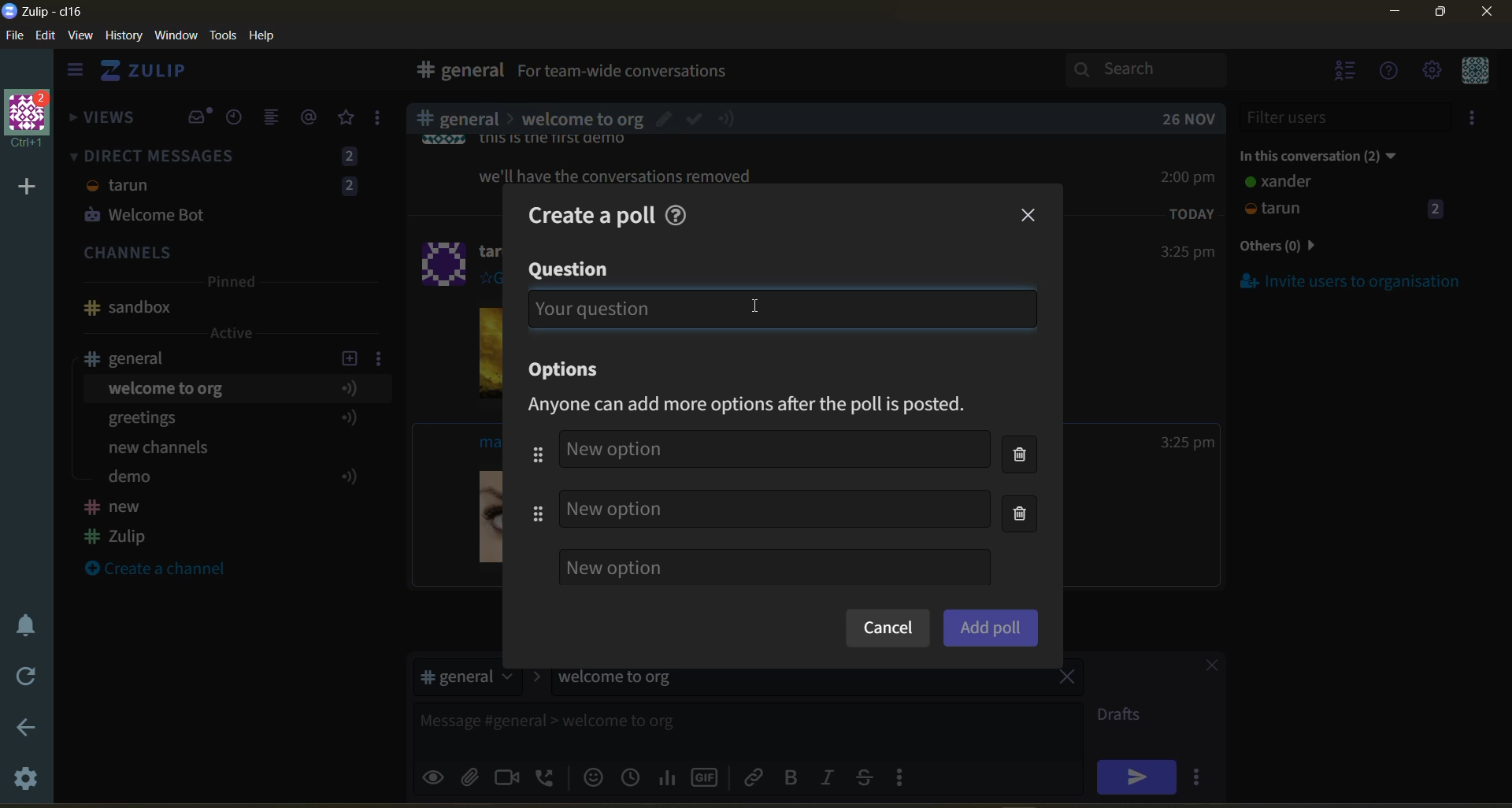 The image size is (1512, 808). Describe the element at coordinates (46, 37) in the screenshot. I see `edit` at that location.